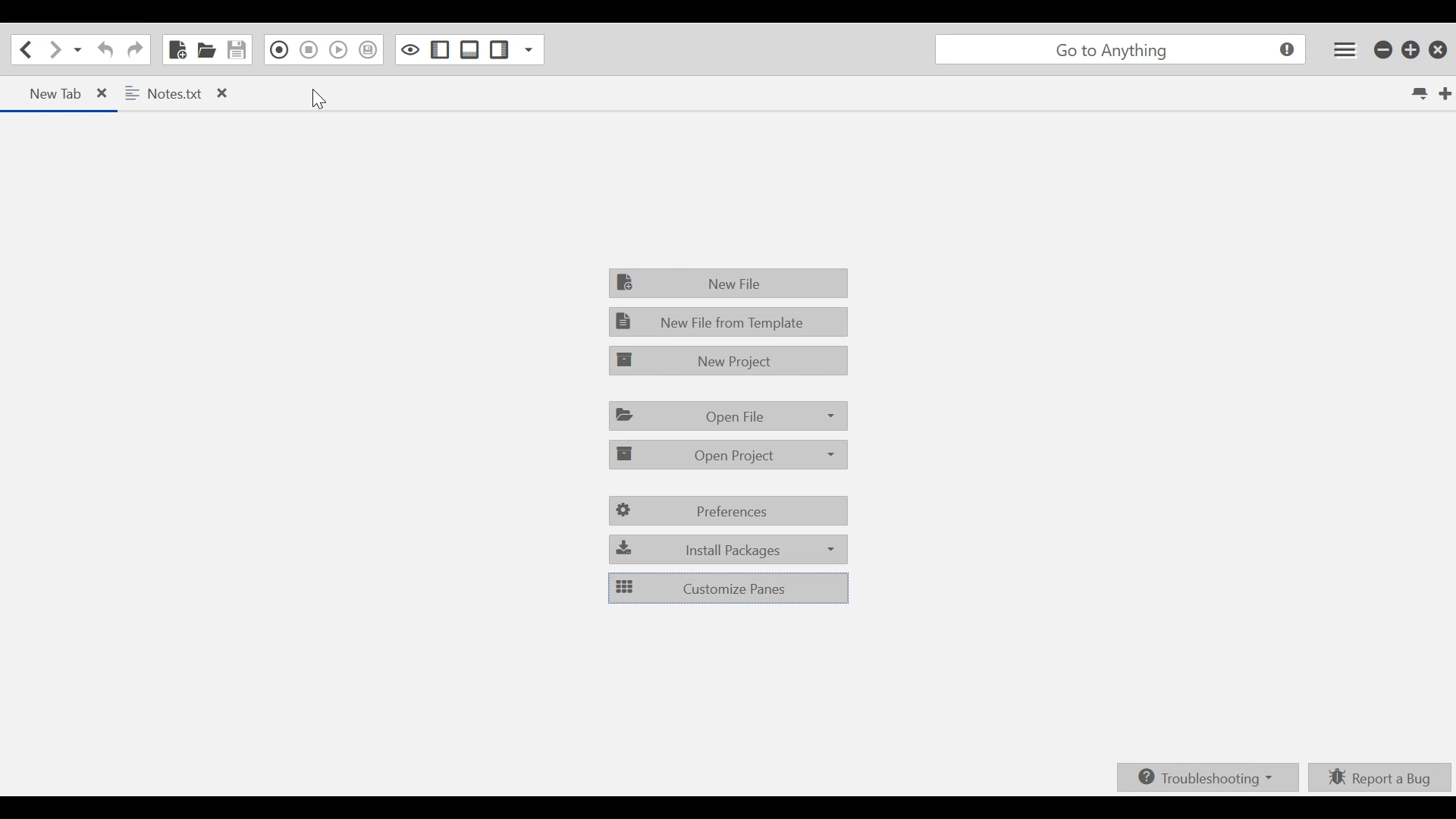 This screenshot has height=819, width=1456. I want to click on List all tabs, so click(1419, 93).